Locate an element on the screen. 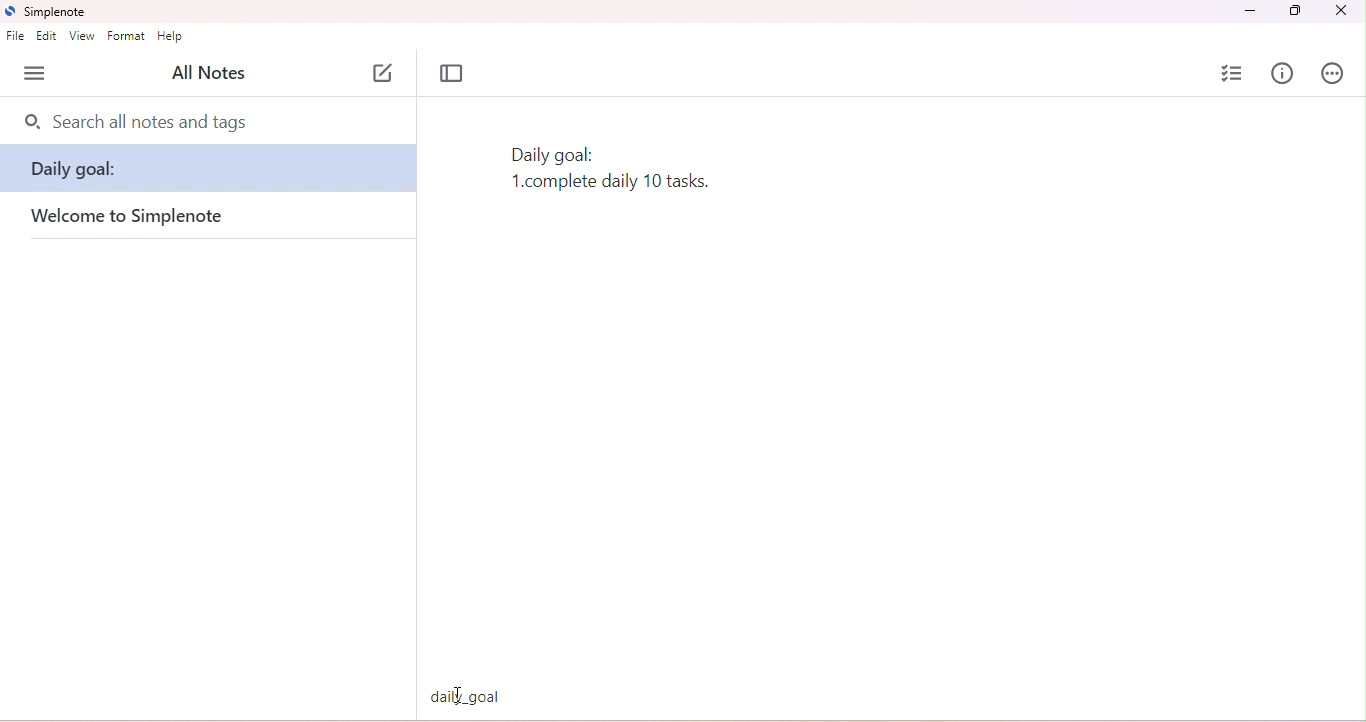  file is located at coordinates (17, 36).